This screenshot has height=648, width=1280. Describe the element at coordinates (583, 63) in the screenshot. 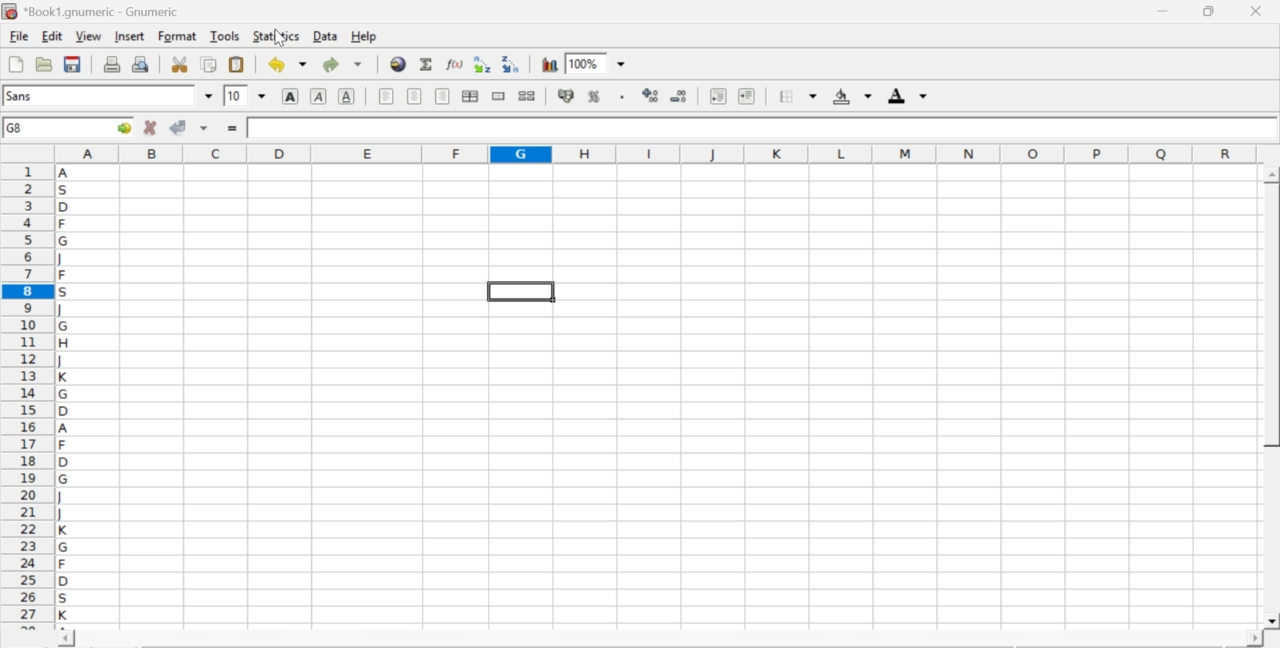

I see `100%` at that location.